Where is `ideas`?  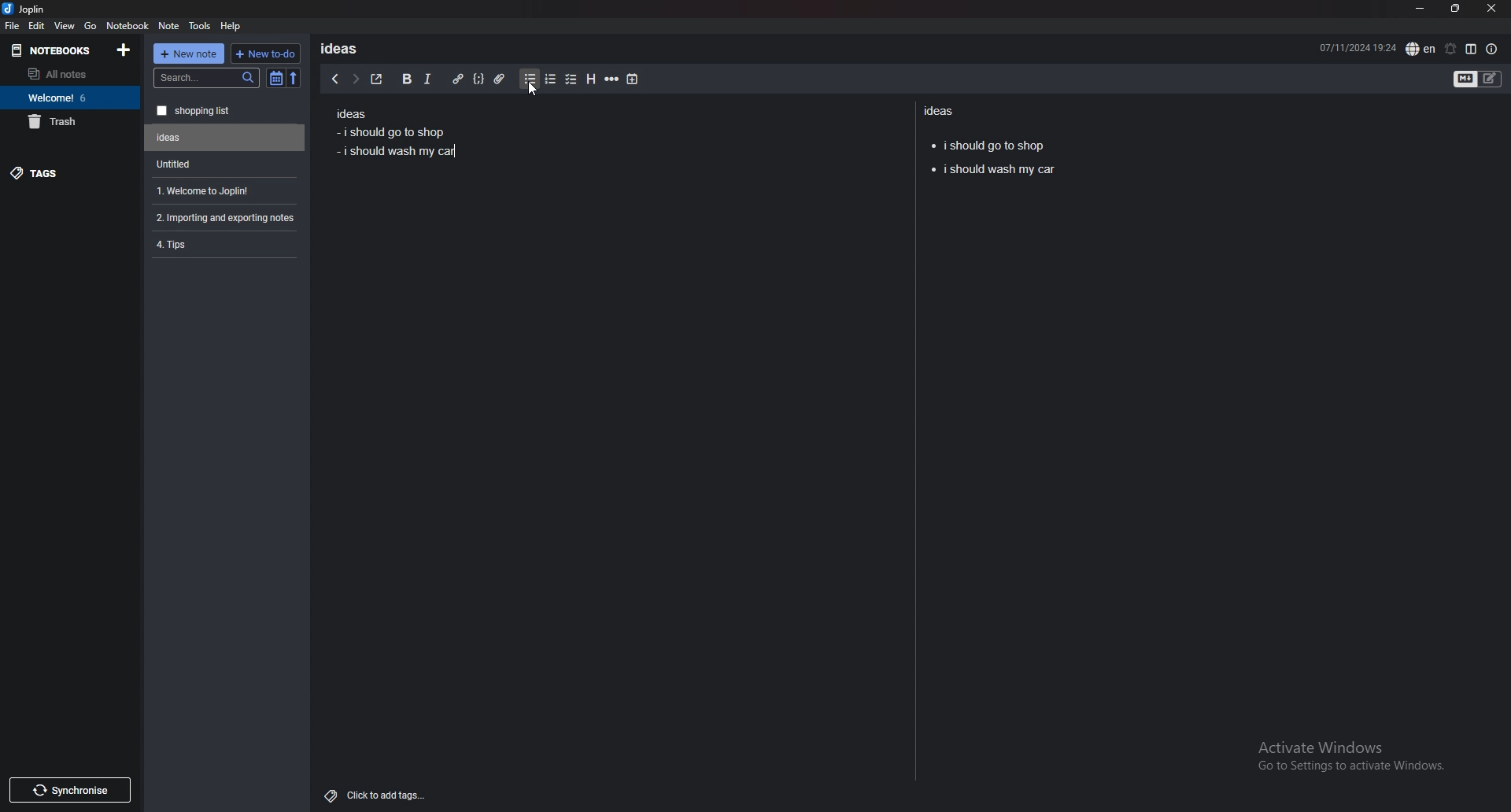 ideas is located at coordinates (345, 48).